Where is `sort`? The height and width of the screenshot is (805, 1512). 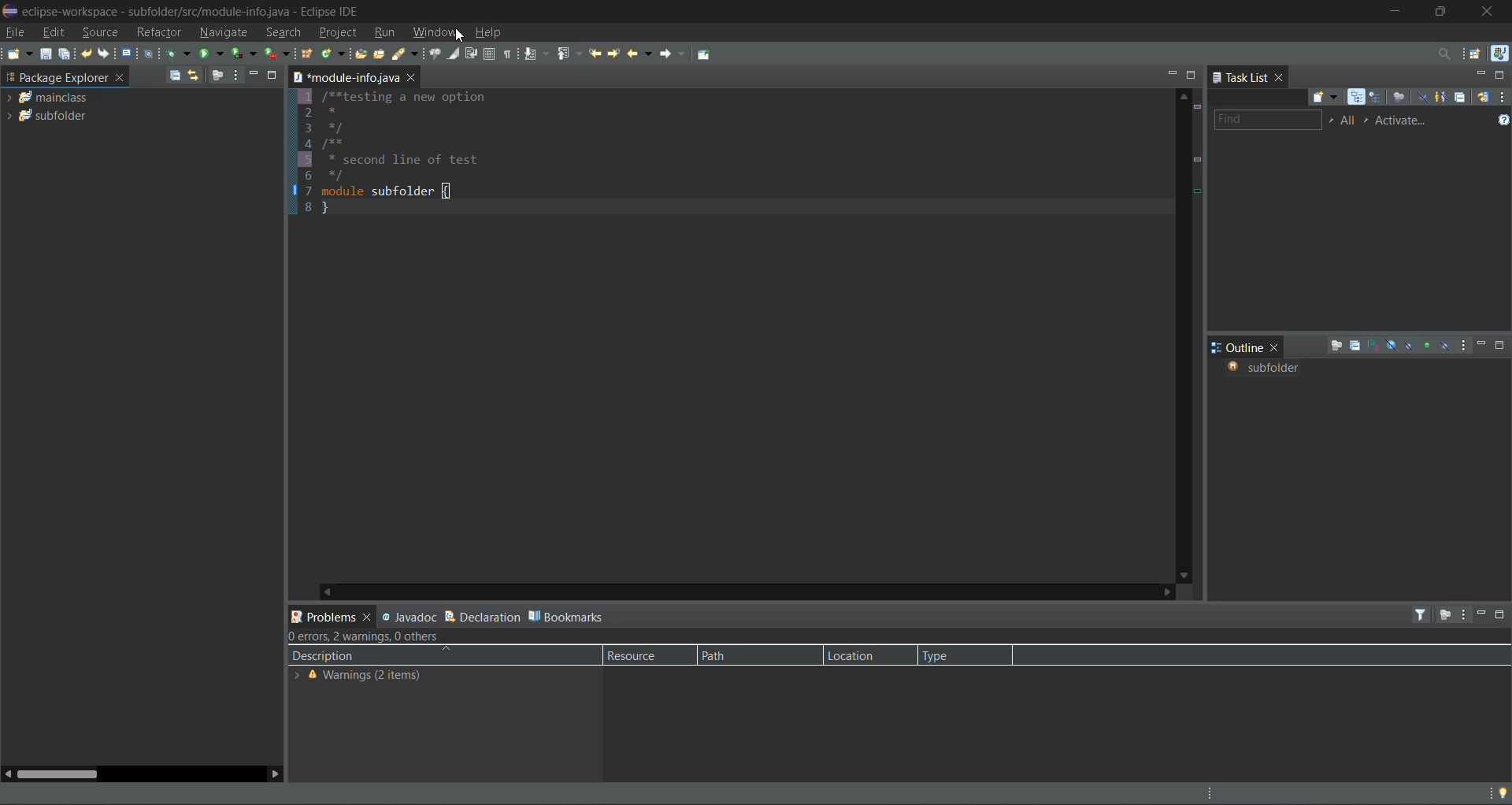 sort is located at coordinates (1373, 345).